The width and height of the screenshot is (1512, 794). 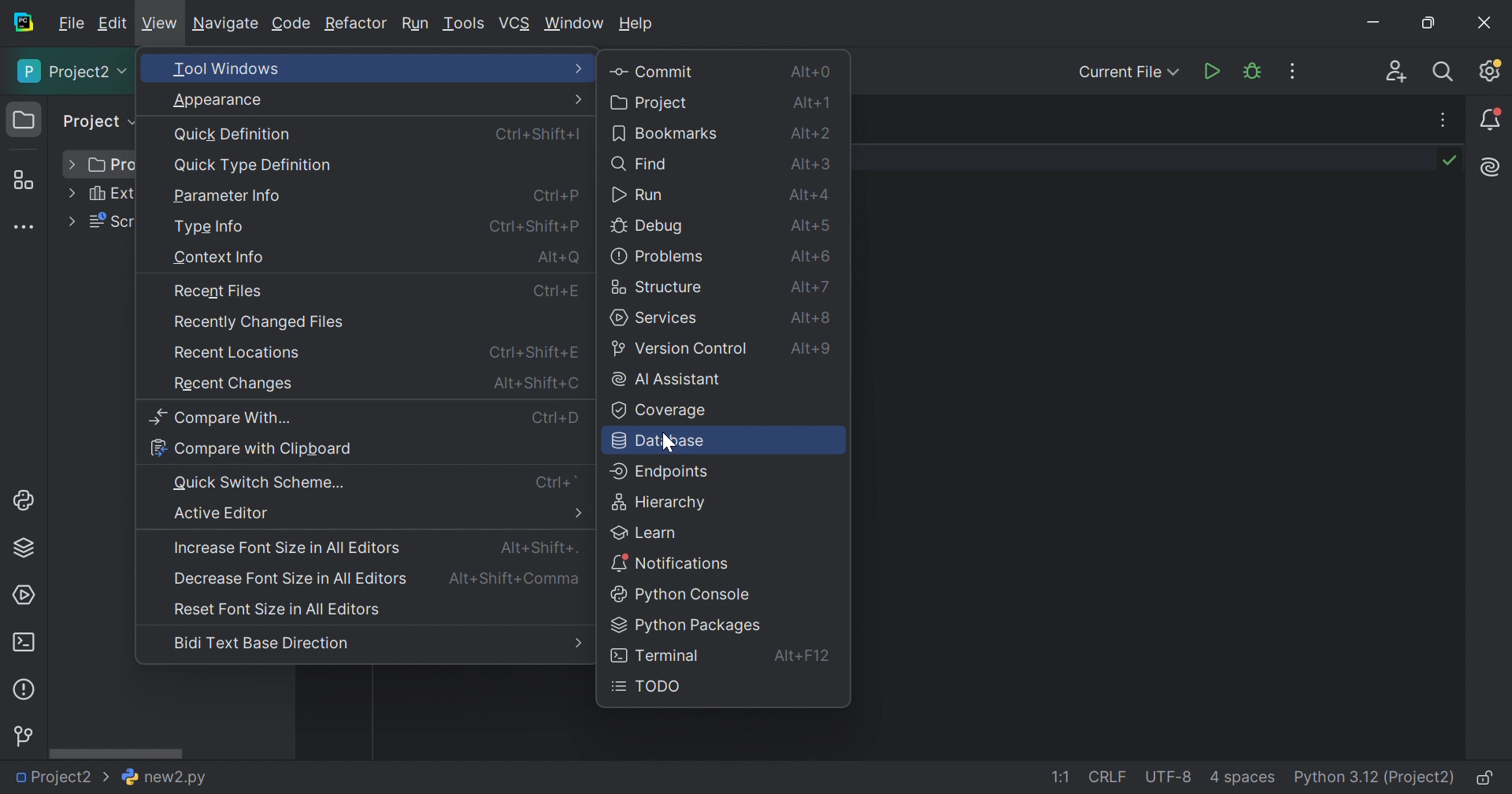 What do you see at coordinates (251, 165) in the screenshot?
I see `Quick type definition` at bounding box center [251, 165].